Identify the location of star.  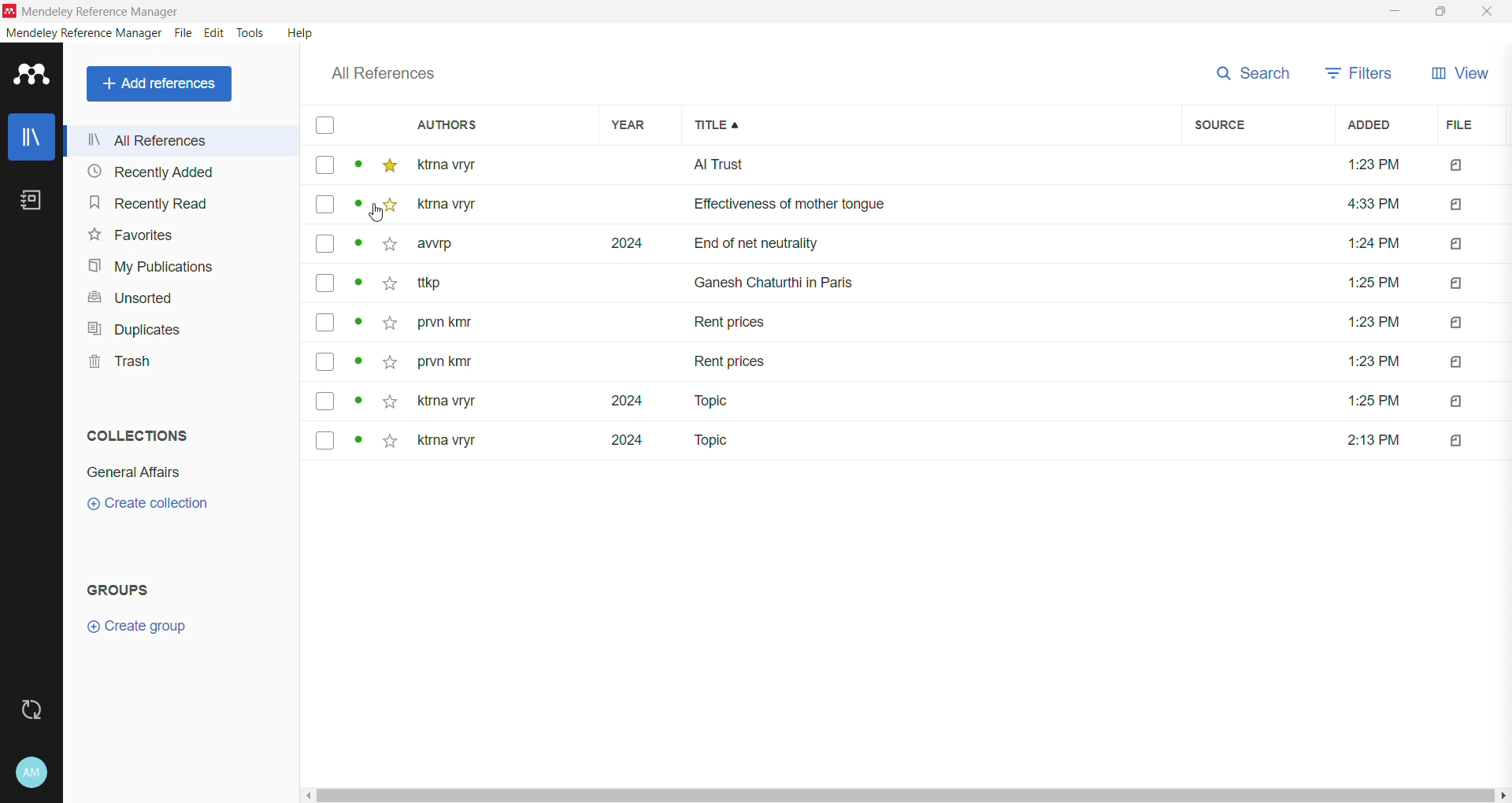
(386, 208).